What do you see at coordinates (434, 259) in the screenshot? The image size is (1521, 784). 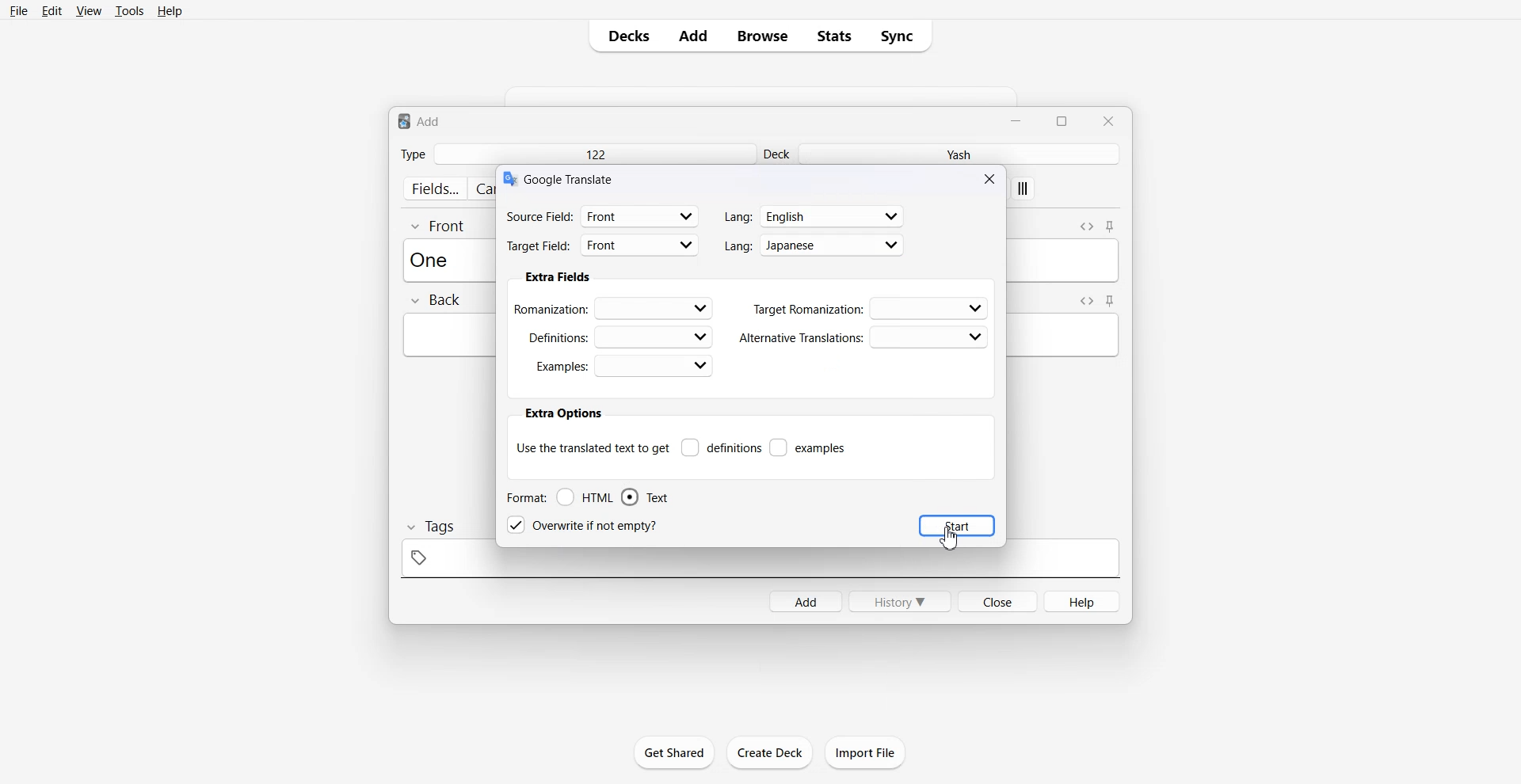 I see `Text` at bounding box center [434, 259].